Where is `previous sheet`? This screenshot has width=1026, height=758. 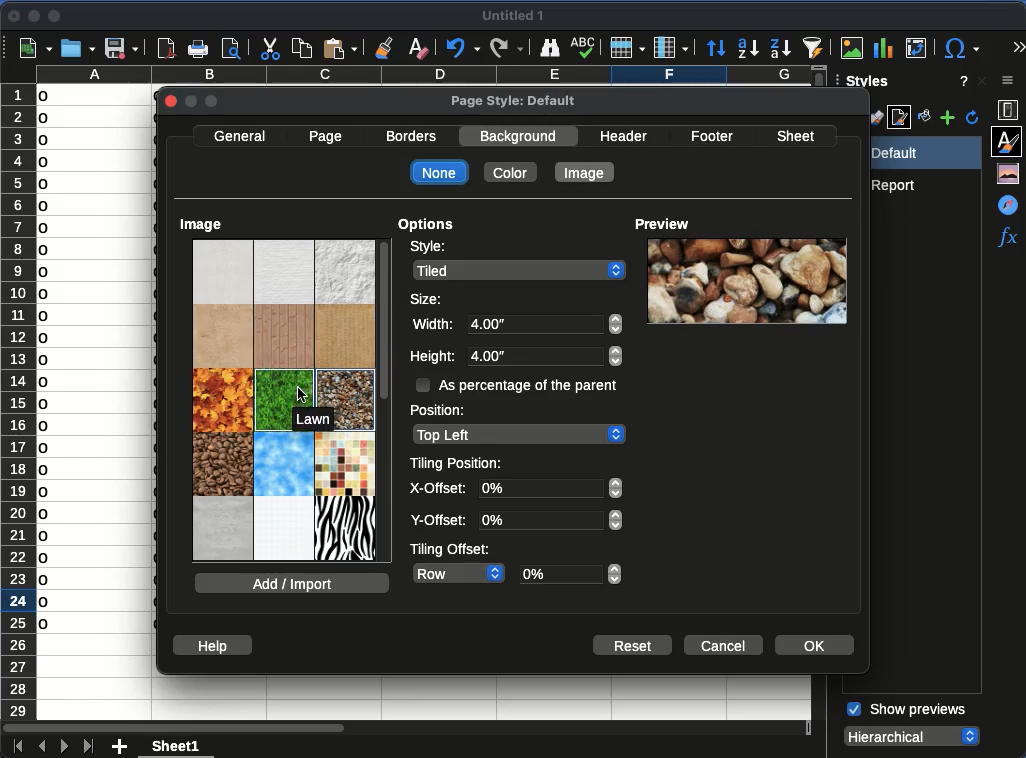 previous sheet is located at coordinates (40, 747).